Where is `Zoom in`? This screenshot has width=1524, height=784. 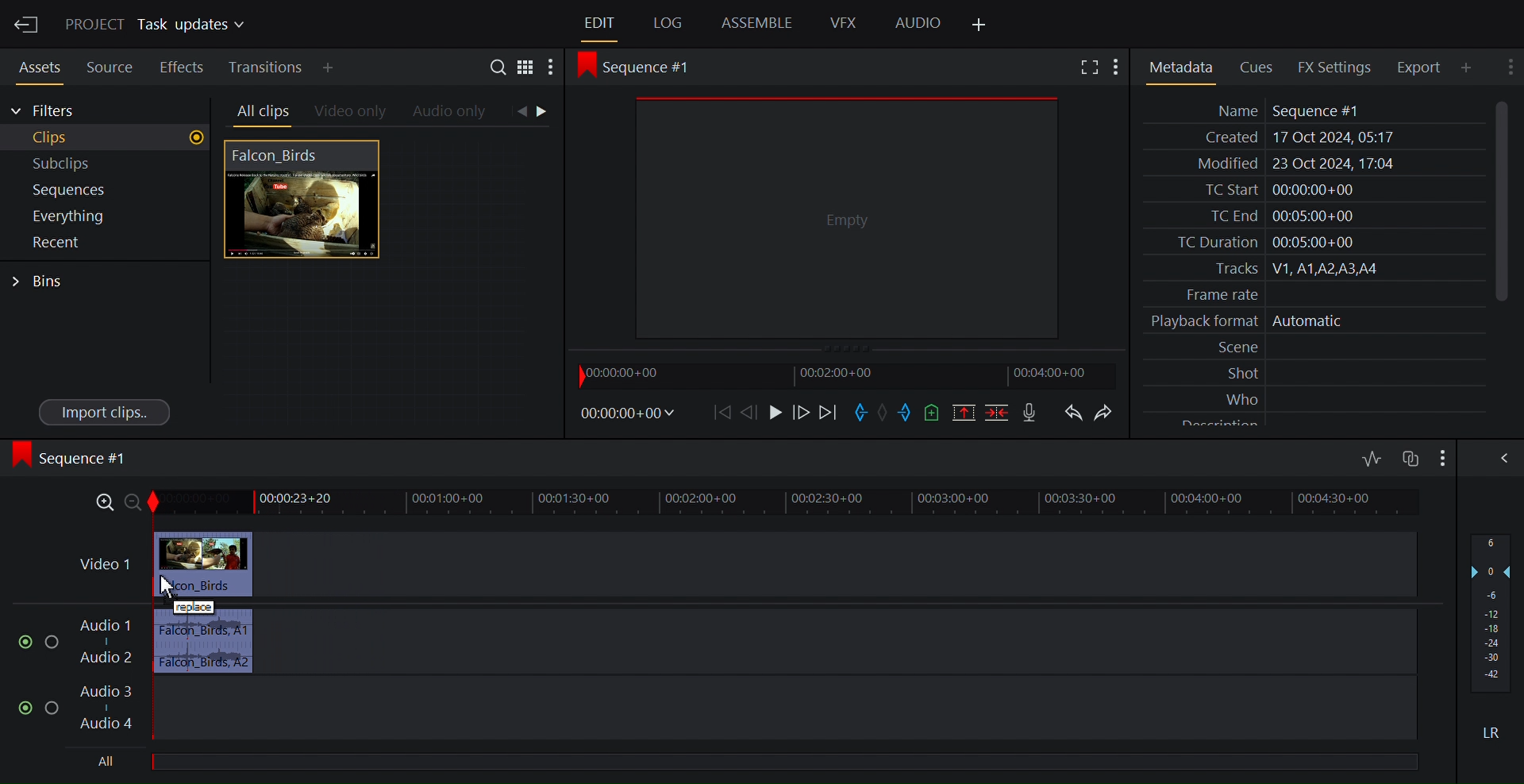
Zoom in is located at coordinates (99, 504).